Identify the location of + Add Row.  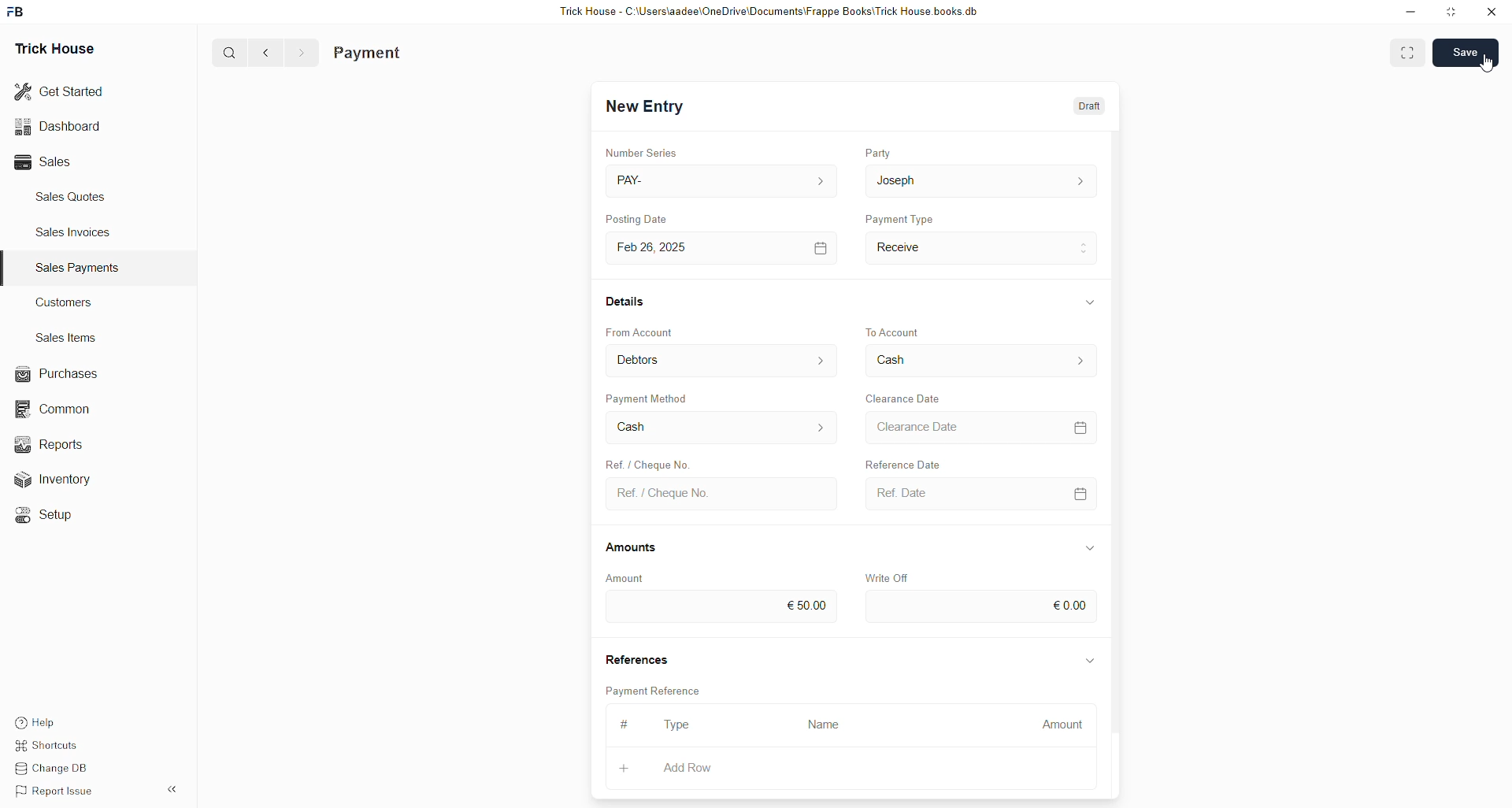
(699, 769).